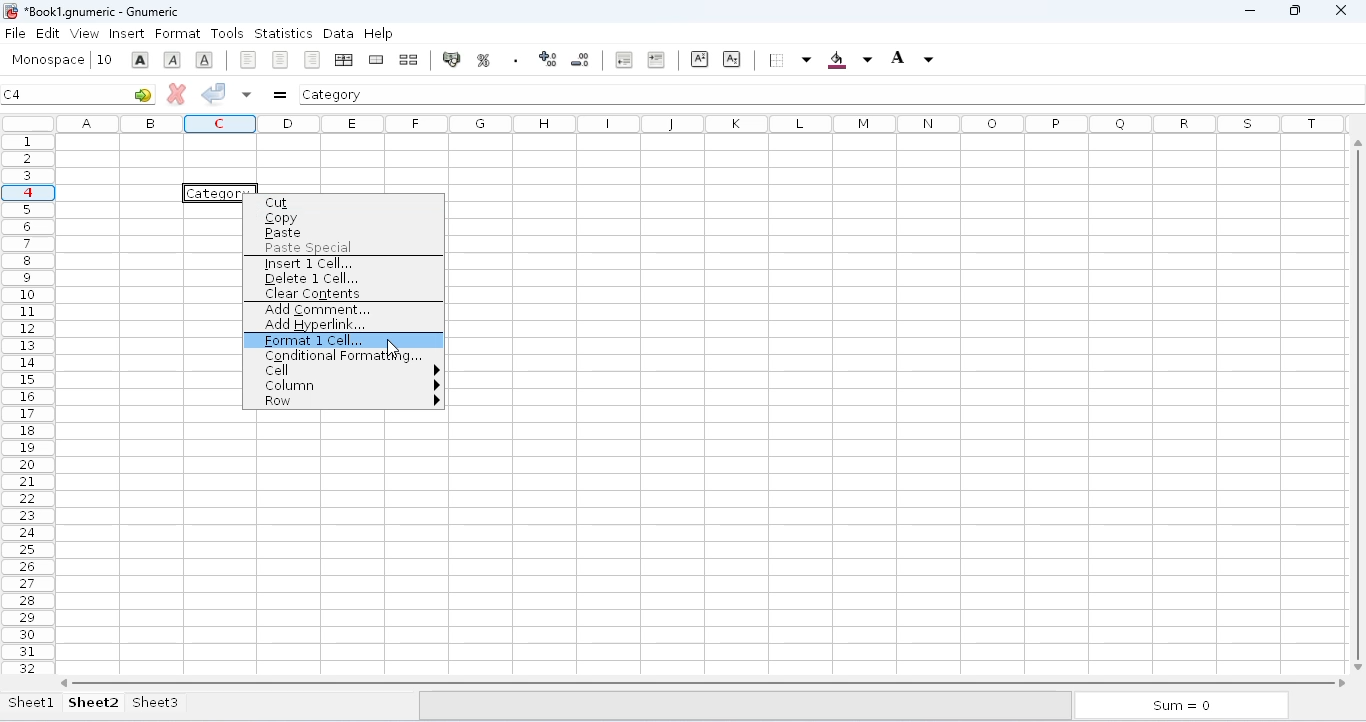  I want to click on tools, so click(227, 33).